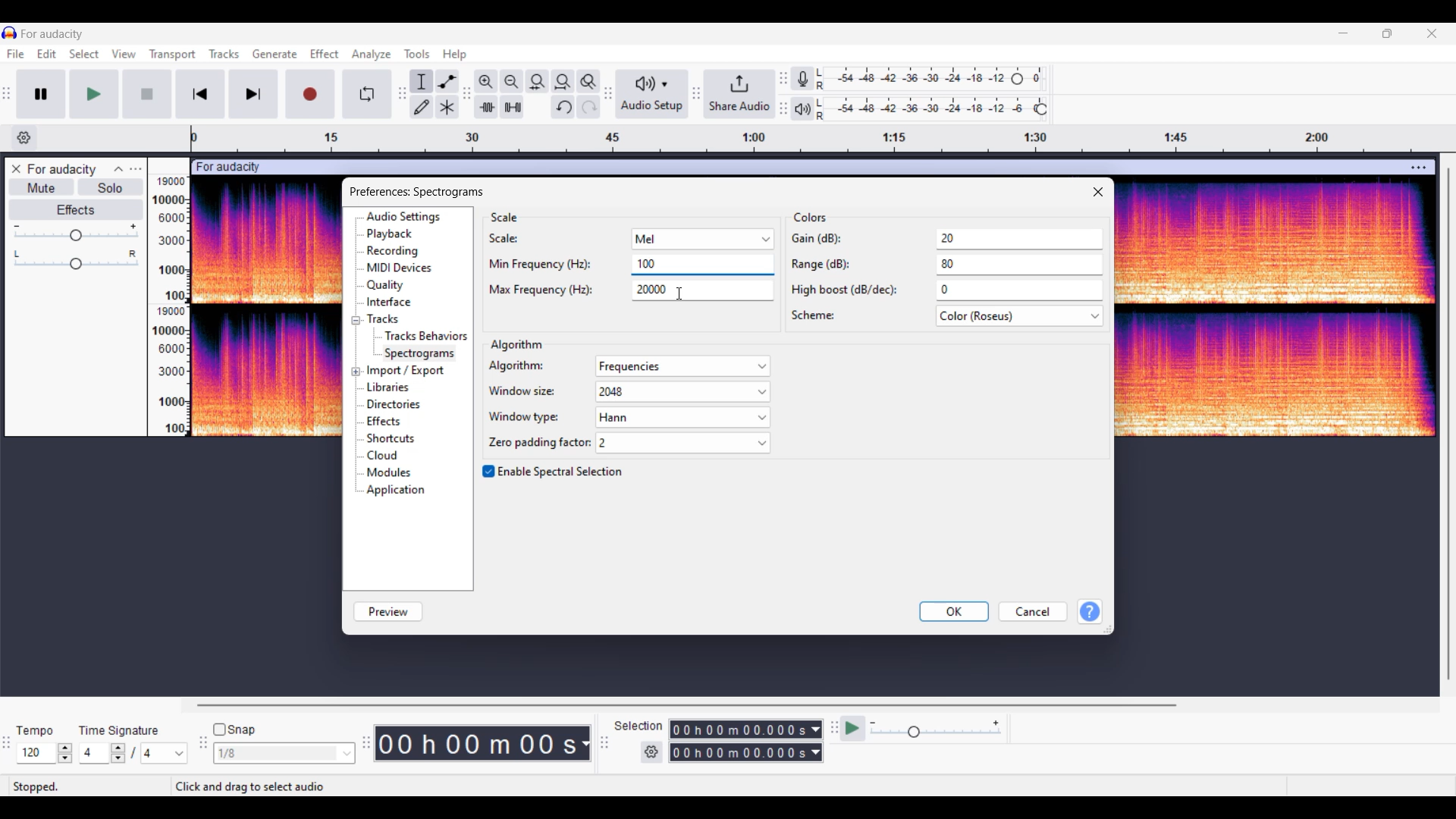 The width and height of the screenshot is (1456, 819). Describe the element at coordinates (275, 54) in the screenshot. I see `Generate menu` at that location.